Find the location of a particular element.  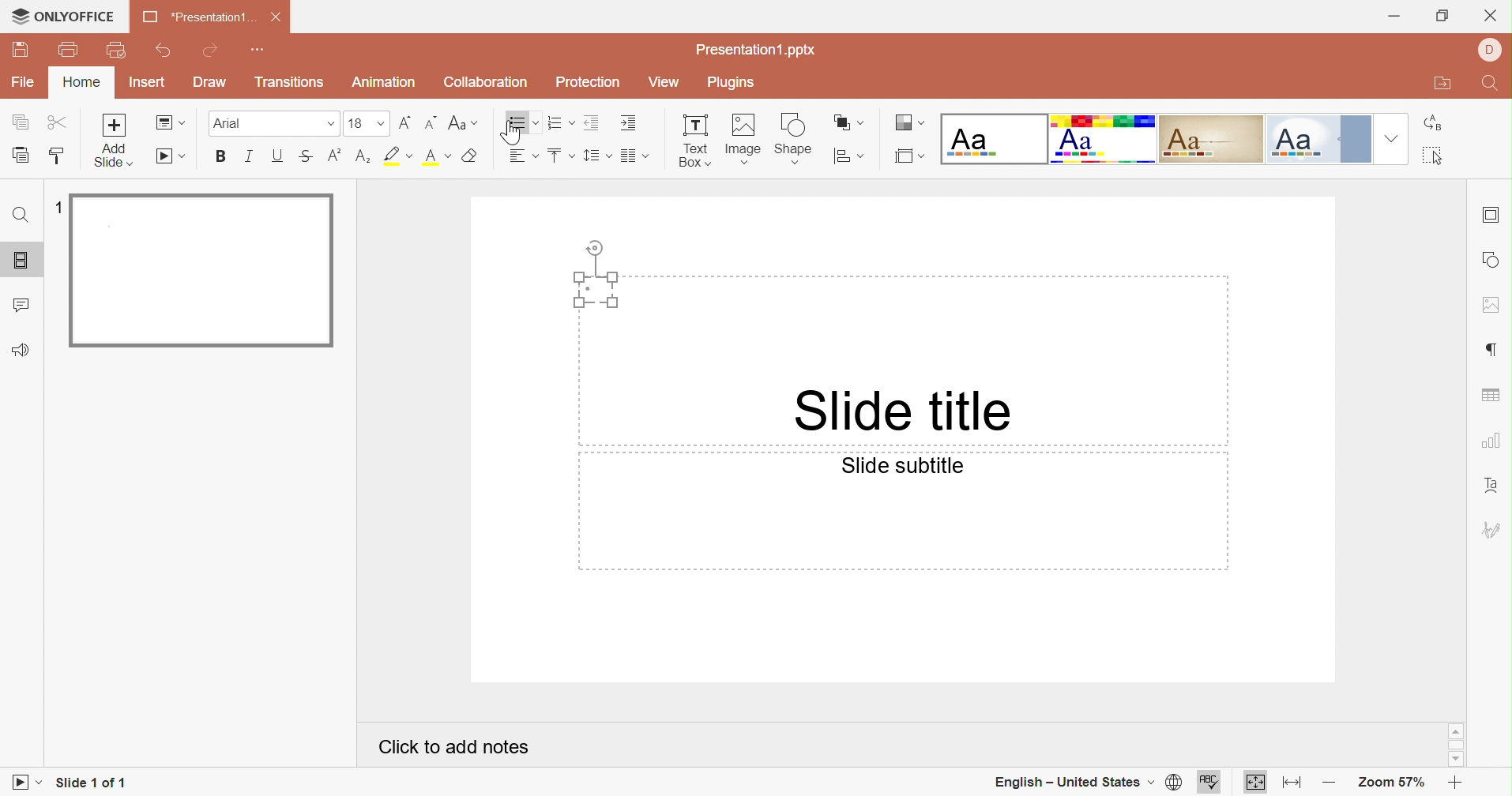

Superscript / subscript is located at coordinates (439, 157).